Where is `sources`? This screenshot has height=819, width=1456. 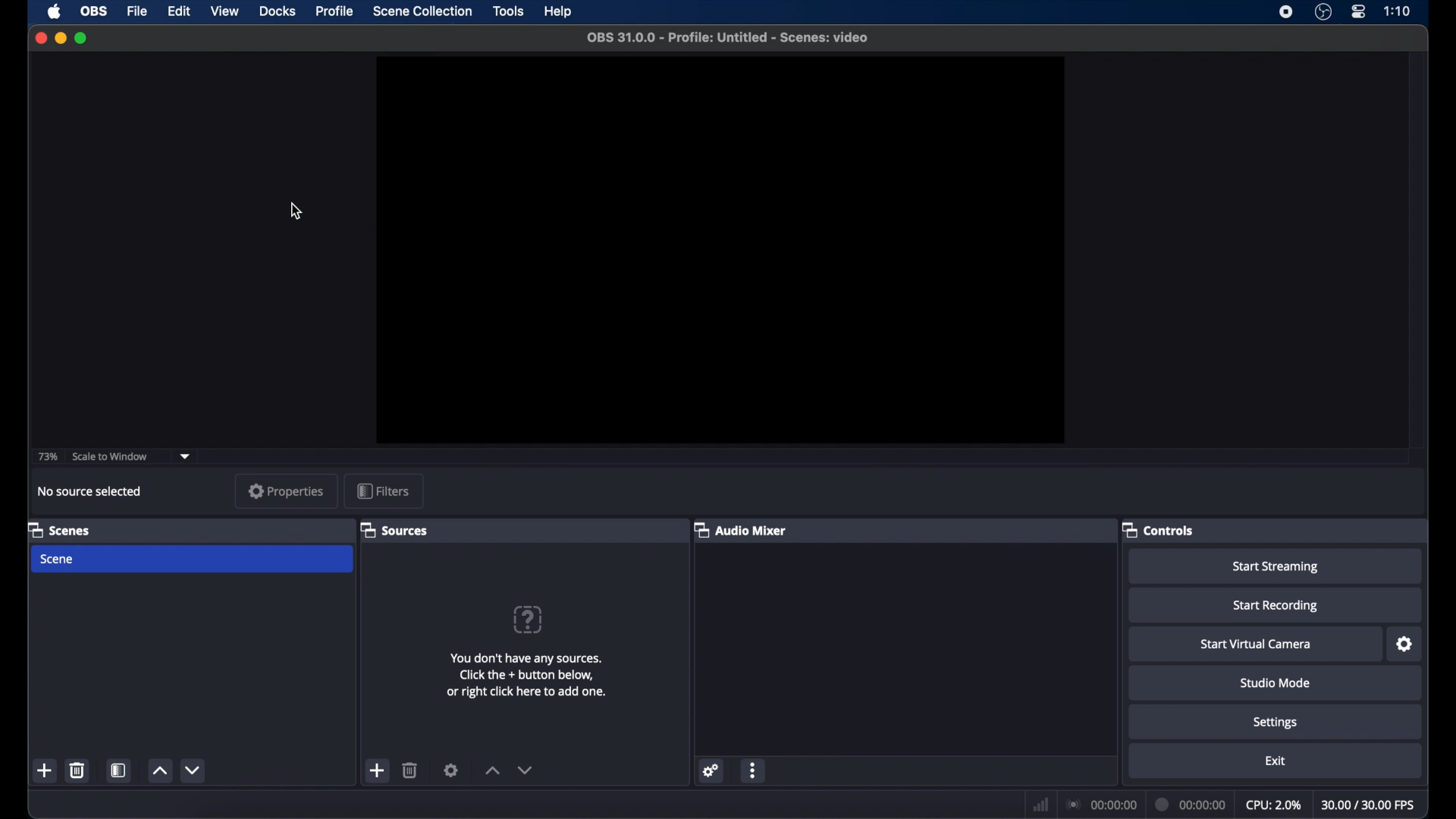 sources is located at coordinates (405, 529).